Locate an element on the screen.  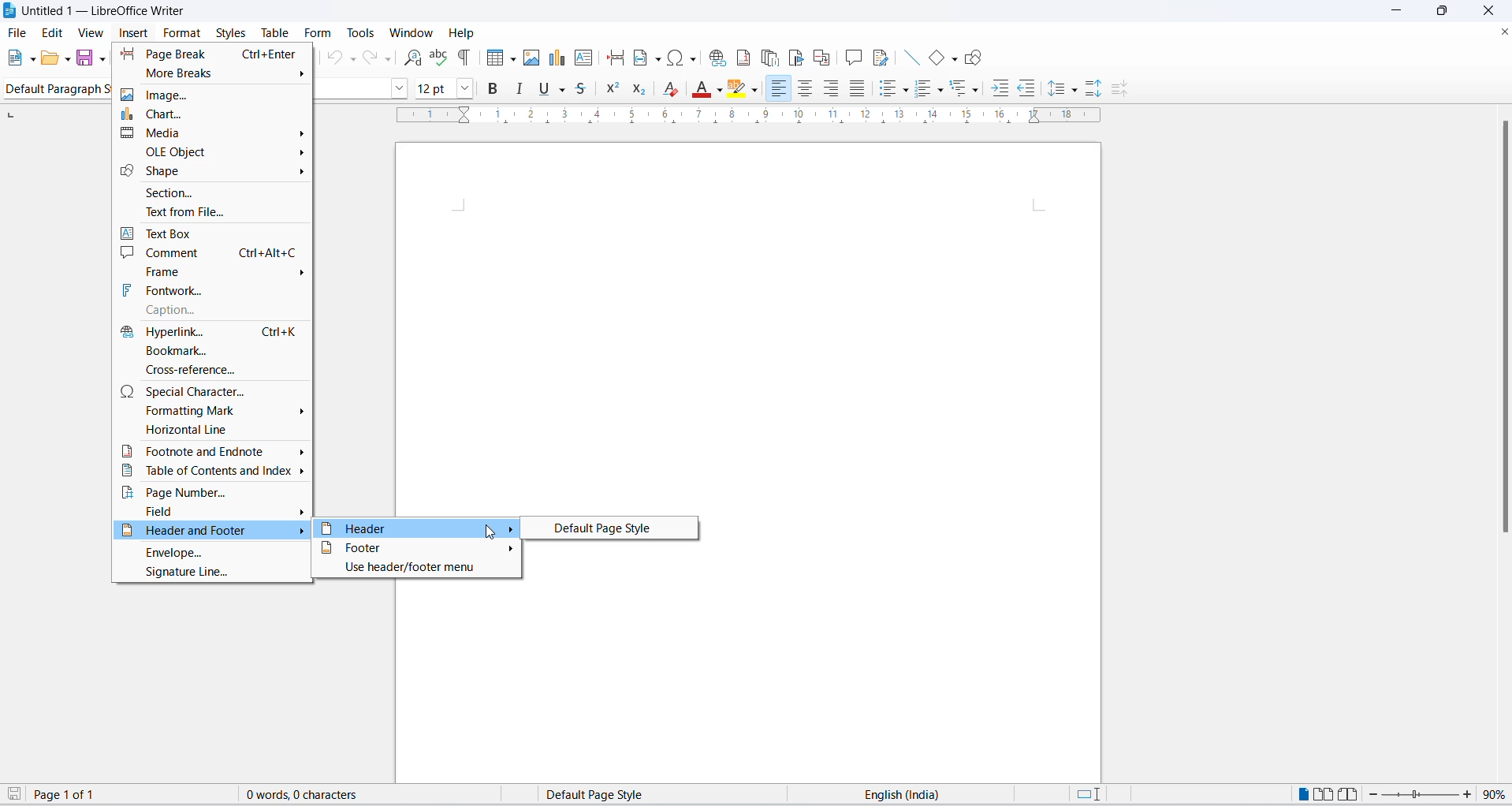
comment is located at coordinates (213, 252).